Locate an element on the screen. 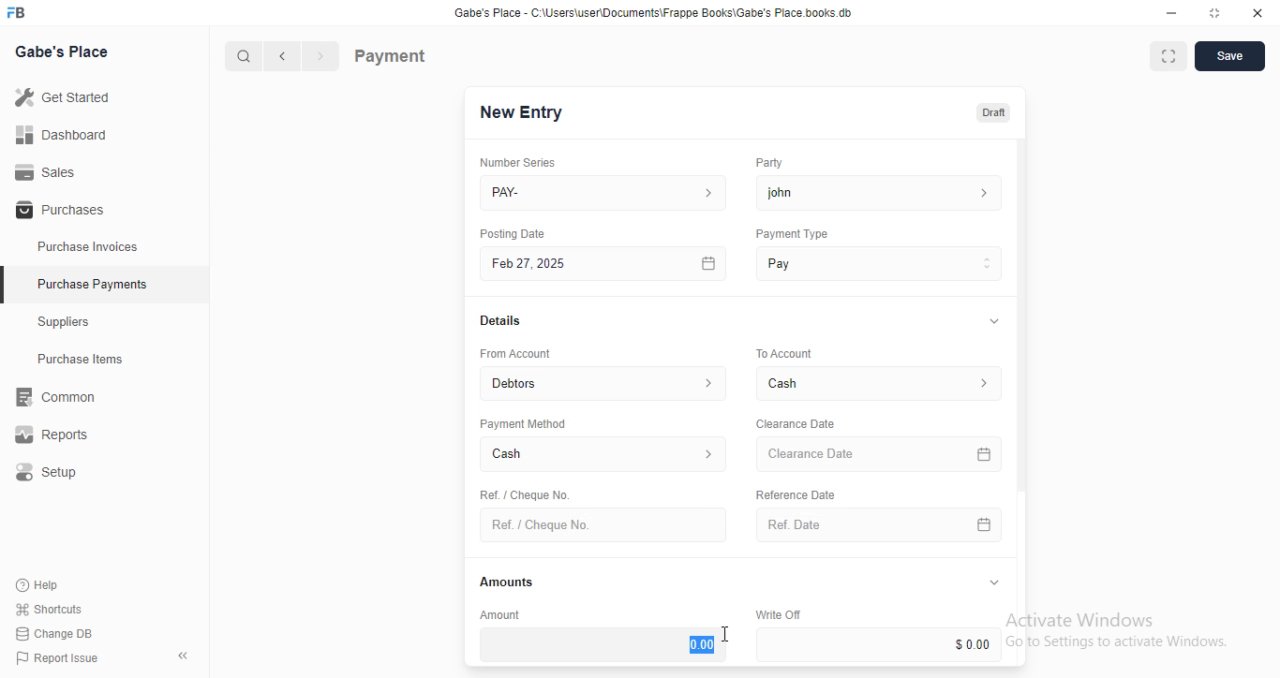 This screenshot has height=678, width=1280. To Account is located at coordinates (882, 383).